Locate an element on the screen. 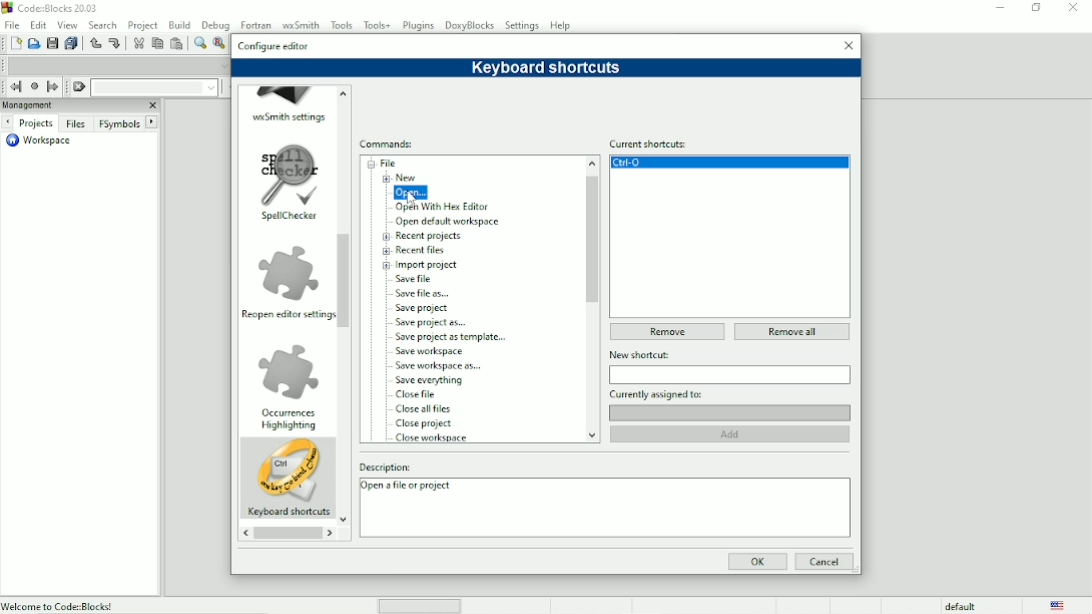 The width and height of the screenshot is (1092, 614). up is located at coordinates (344, 91).